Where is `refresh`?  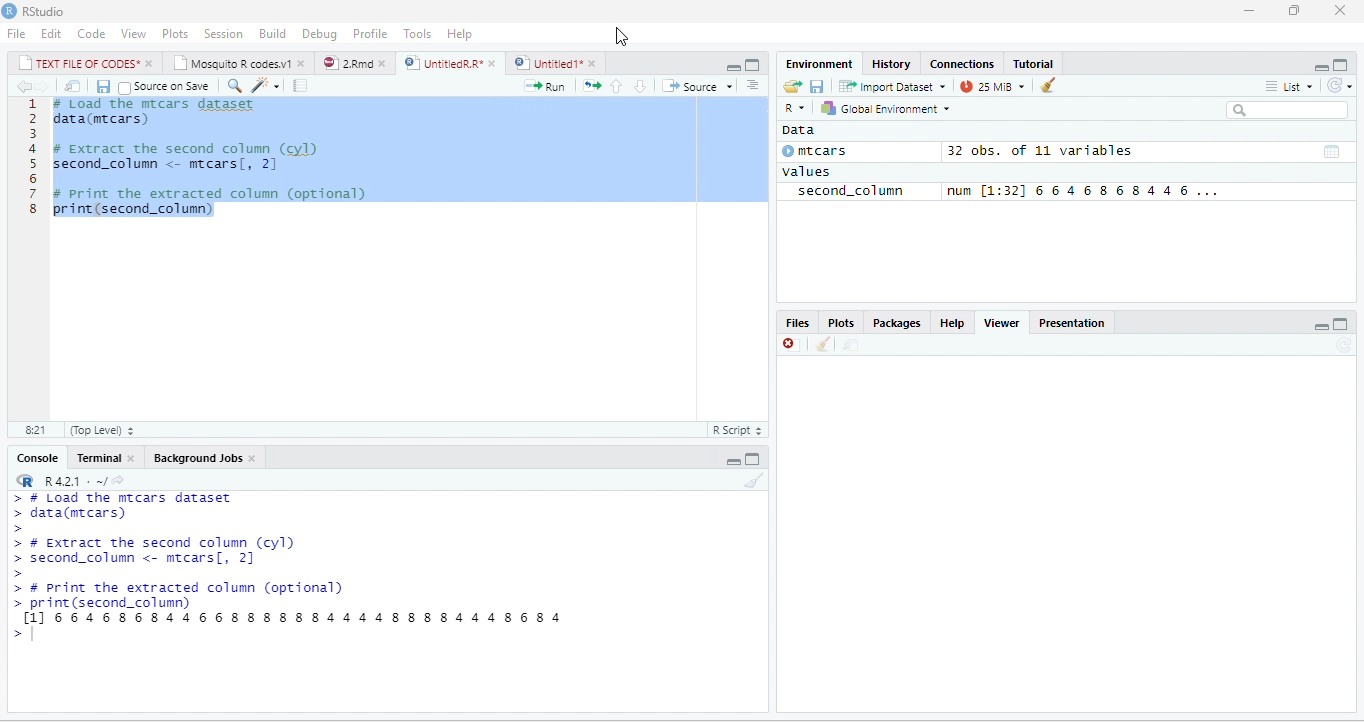
refresh is located at coordinates (1343, 86).